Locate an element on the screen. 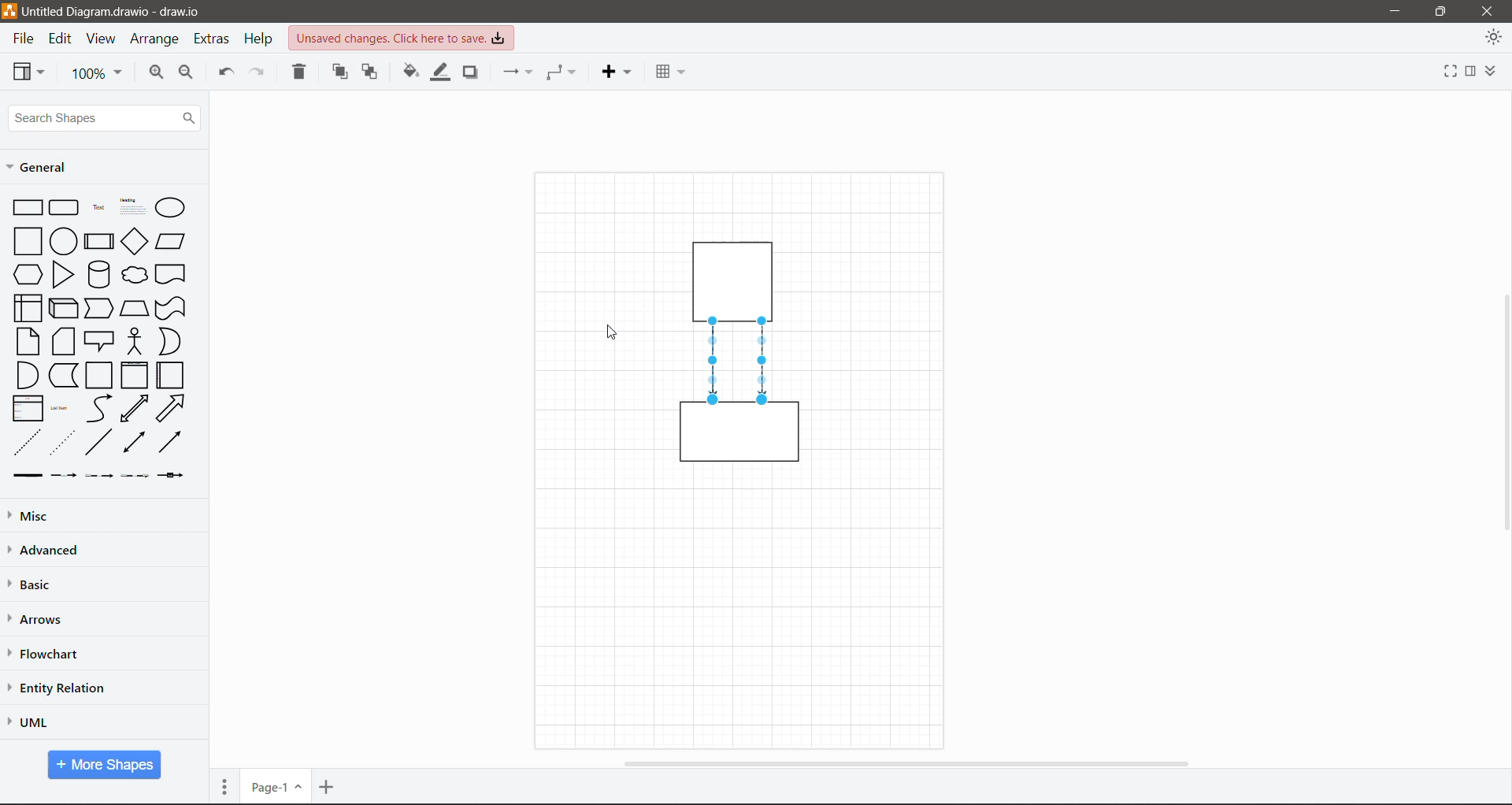 The height and width of the screenshot is (805, 1512). Cylinder is located at coordinates (98, 274).